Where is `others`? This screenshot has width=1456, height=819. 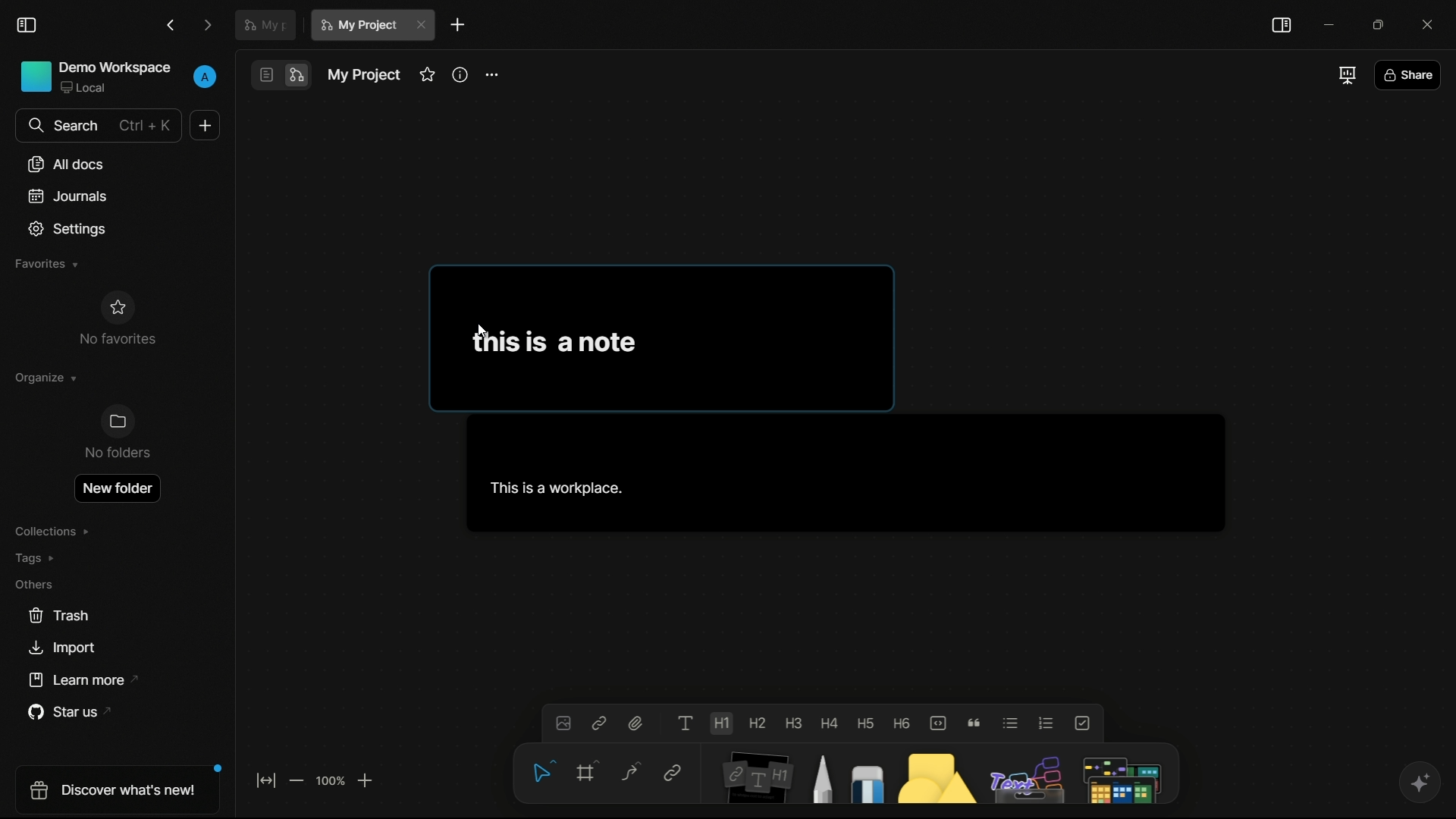
others is located at coordinates (1022, 774).